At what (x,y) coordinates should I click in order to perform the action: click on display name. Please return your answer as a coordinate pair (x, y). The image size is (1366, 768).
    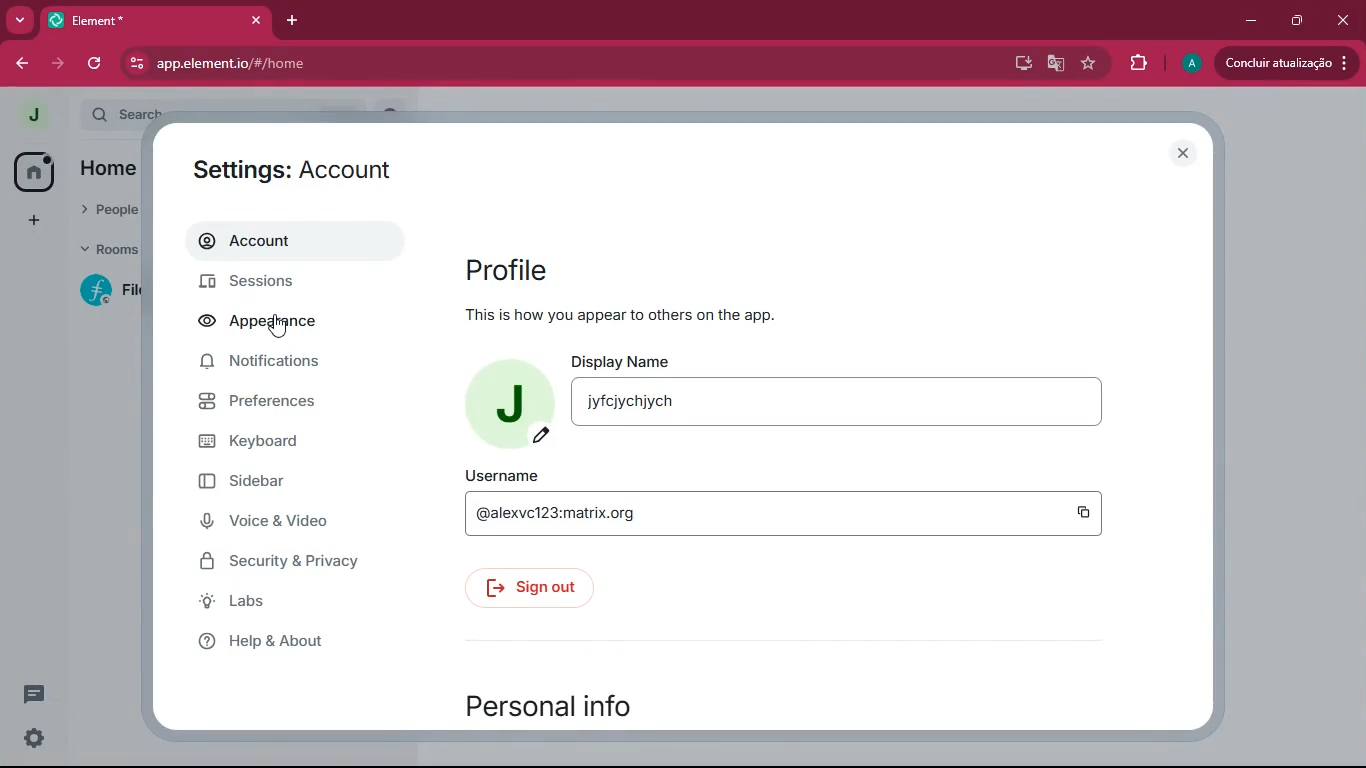
    Looking at the image, I should click on (854, 410).